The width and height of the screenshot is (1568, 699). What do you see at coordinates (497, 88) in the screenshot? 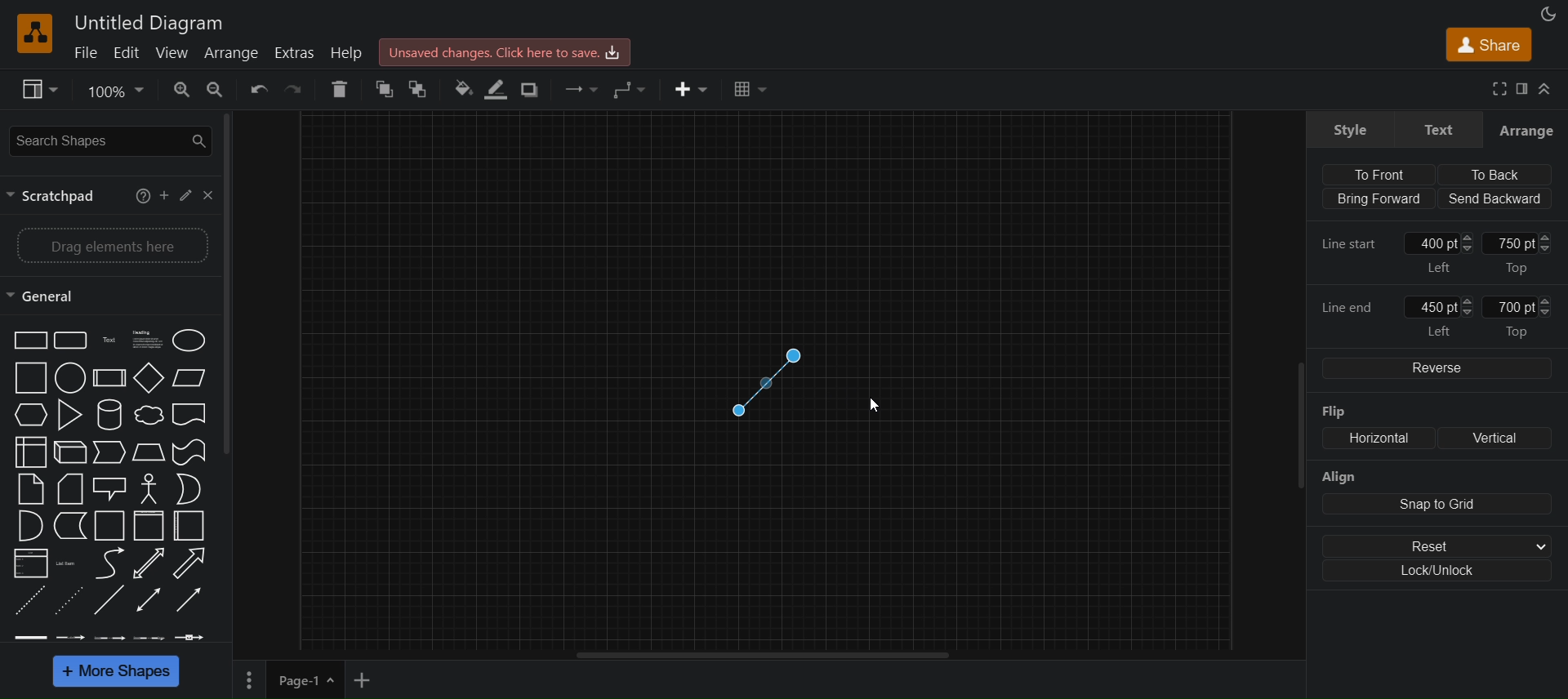
I see `line color` at bounding box center [497, 88].